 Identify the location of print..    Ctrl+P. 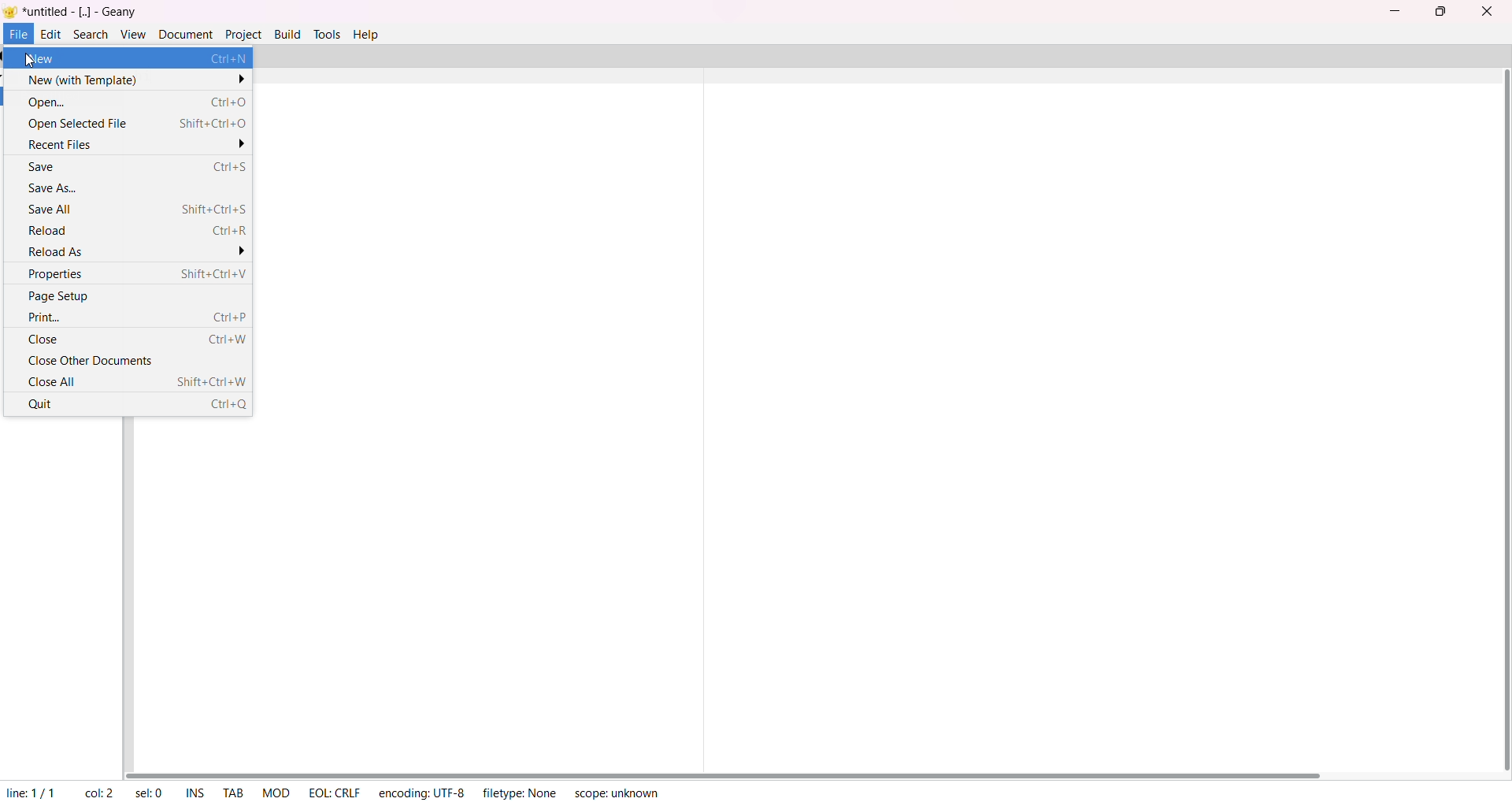
(135, 319).